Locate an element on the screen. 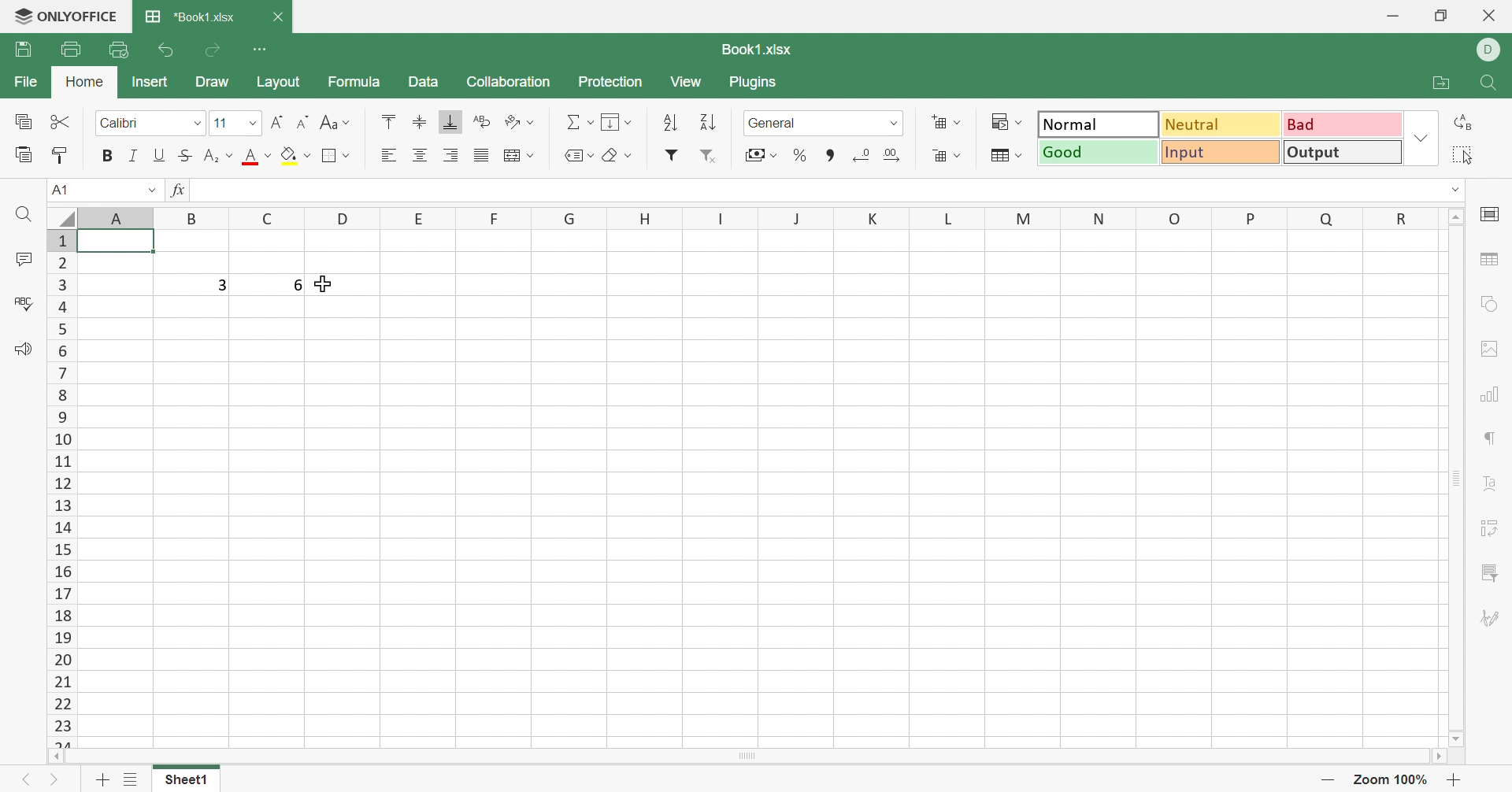 This screenshot has width=1512, height=792. Accounting style is located at coordinates (762, 154).